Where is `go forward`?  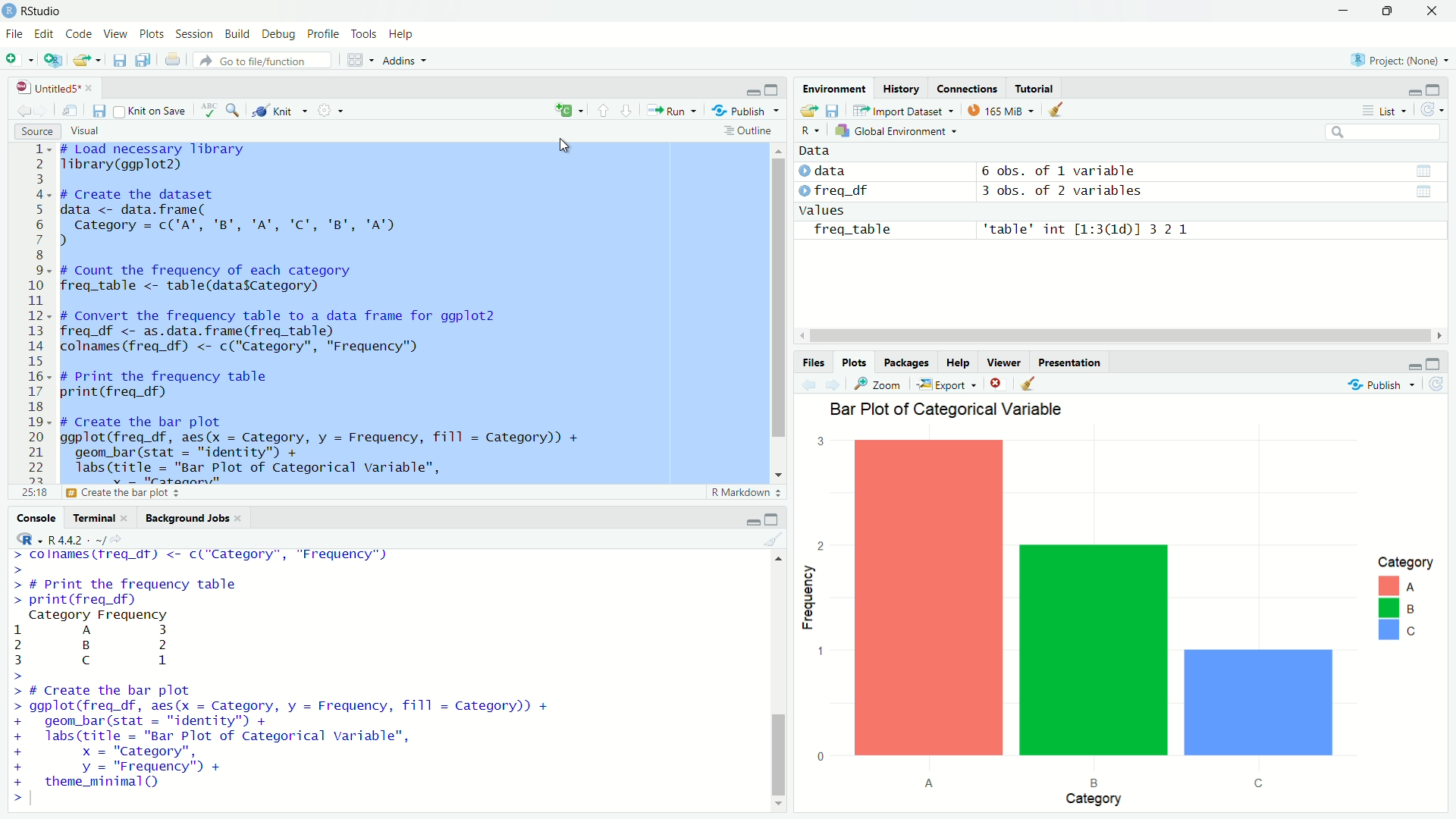
go forward is located at coordinates (44, 111).